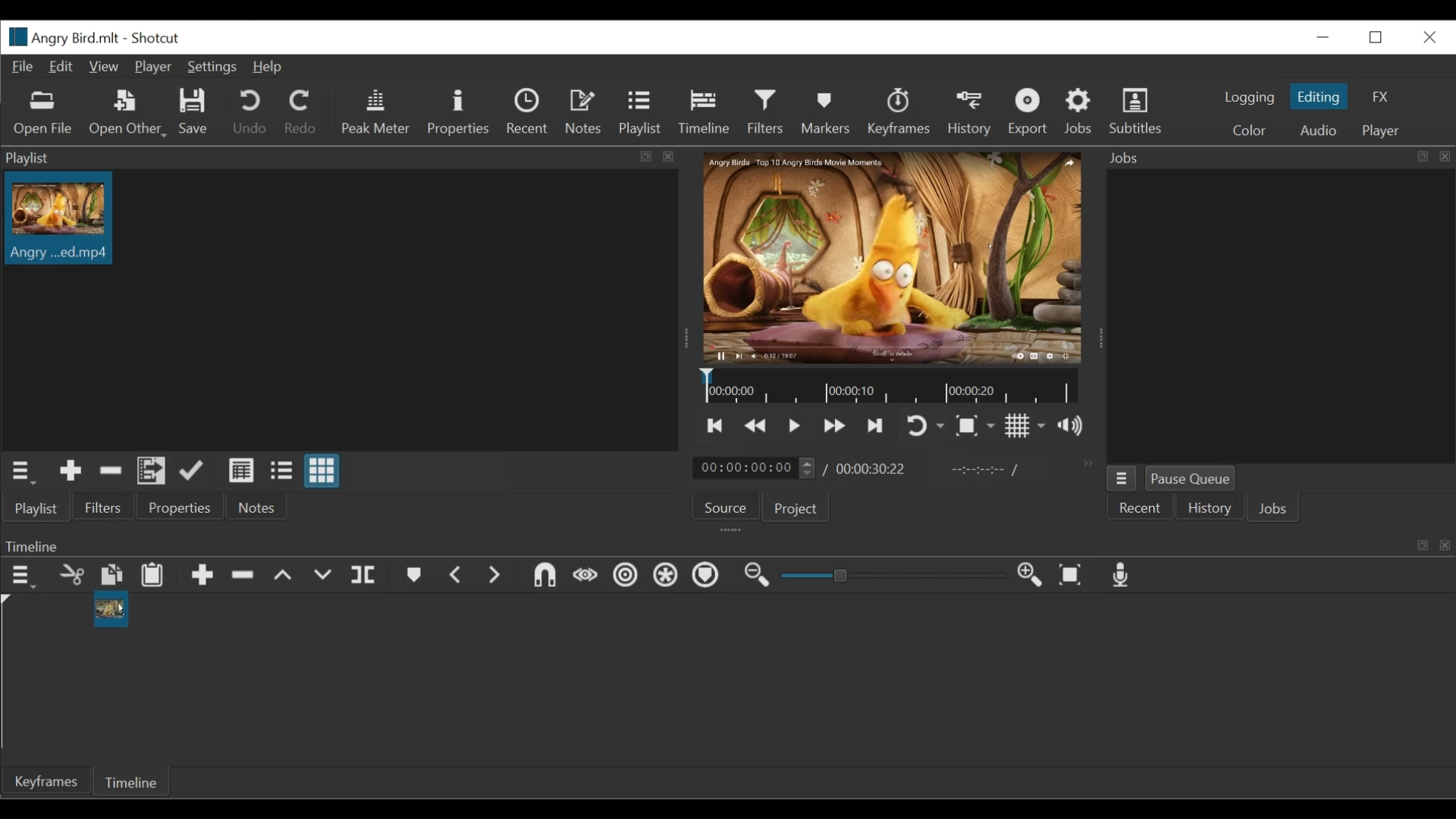 The image size is (1456, 819). I want to click on Audio, so click(1318, 131).